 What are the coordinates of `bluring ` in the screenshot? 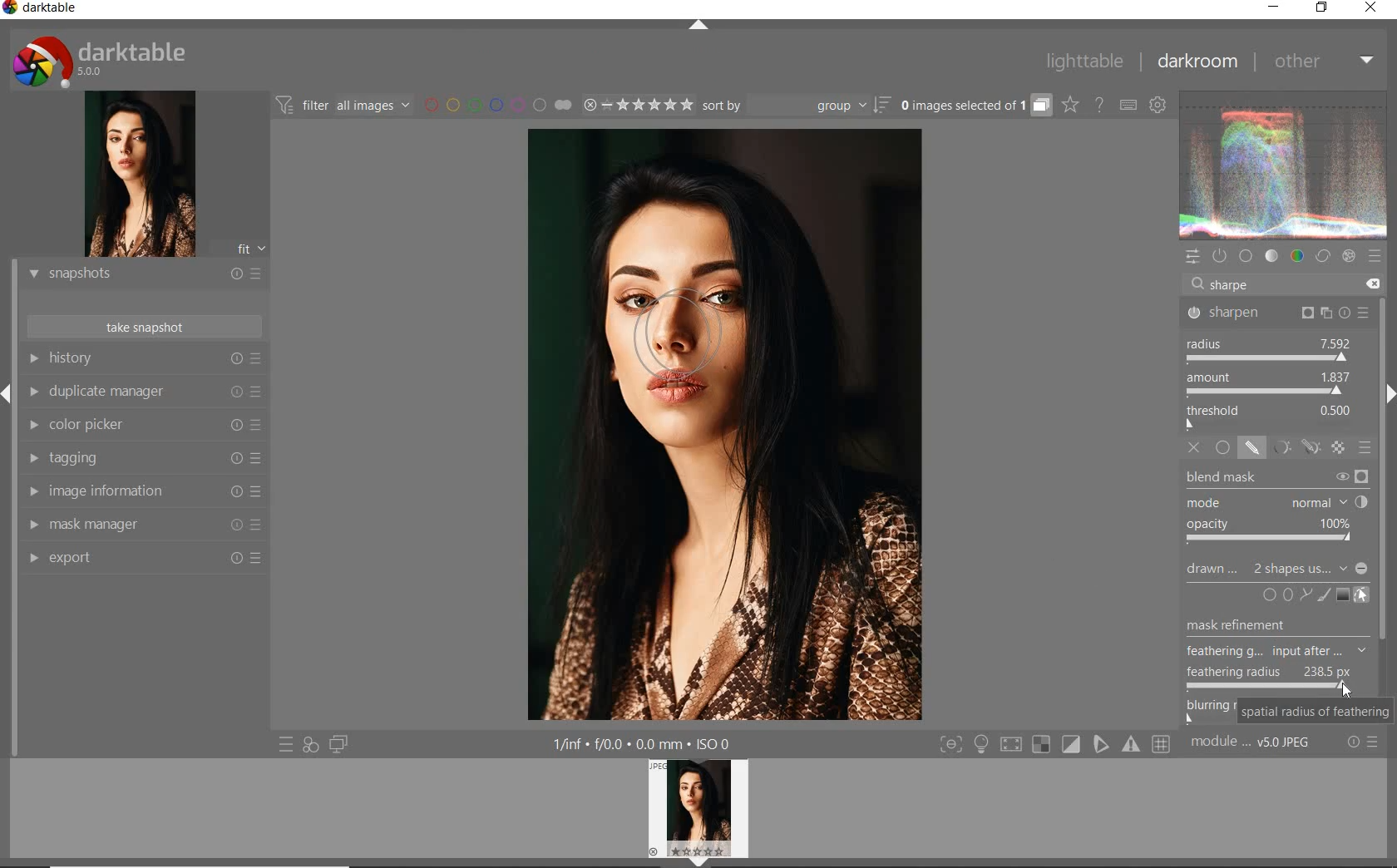 It's located at (1209, 708).